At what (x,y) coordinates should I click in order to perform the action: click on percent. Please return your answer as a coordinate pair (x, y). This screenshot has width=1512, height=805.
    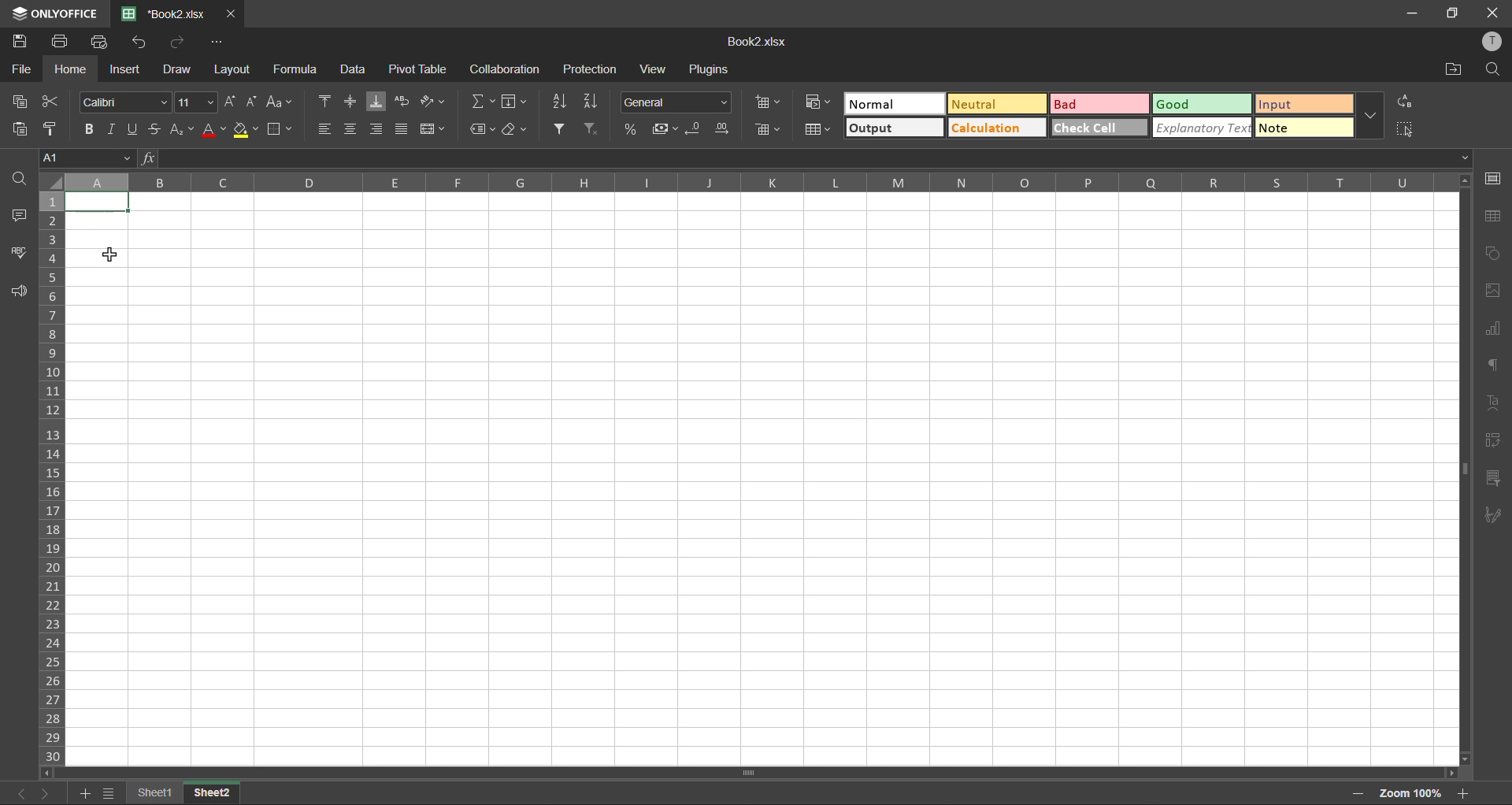
    Looking at the image, I should click on (632, 128).